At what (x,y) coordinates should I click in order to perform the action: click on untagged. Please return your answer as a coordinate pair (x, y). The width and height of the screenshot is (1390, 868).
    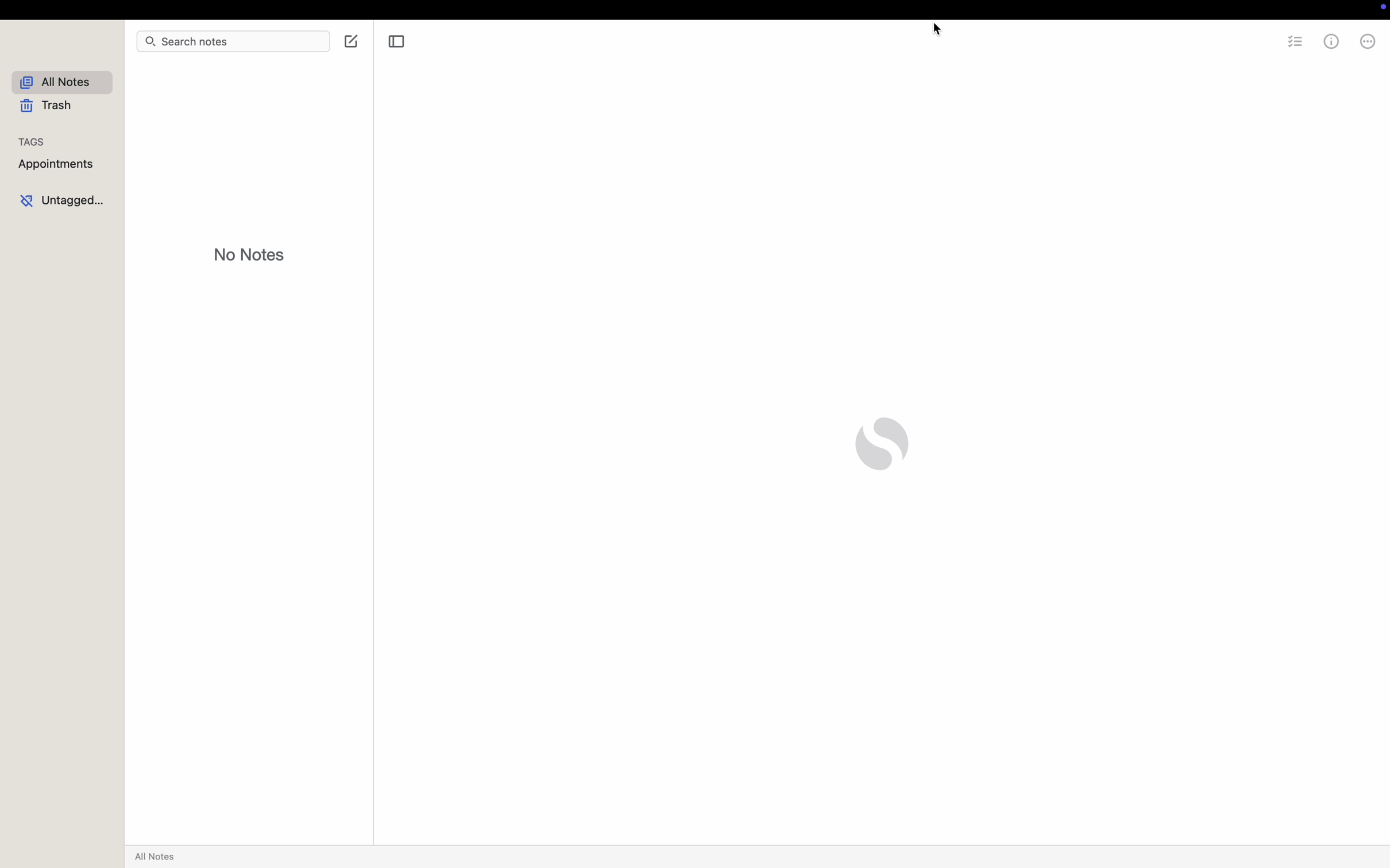
    Looking at the image, I should click on (64, 199).